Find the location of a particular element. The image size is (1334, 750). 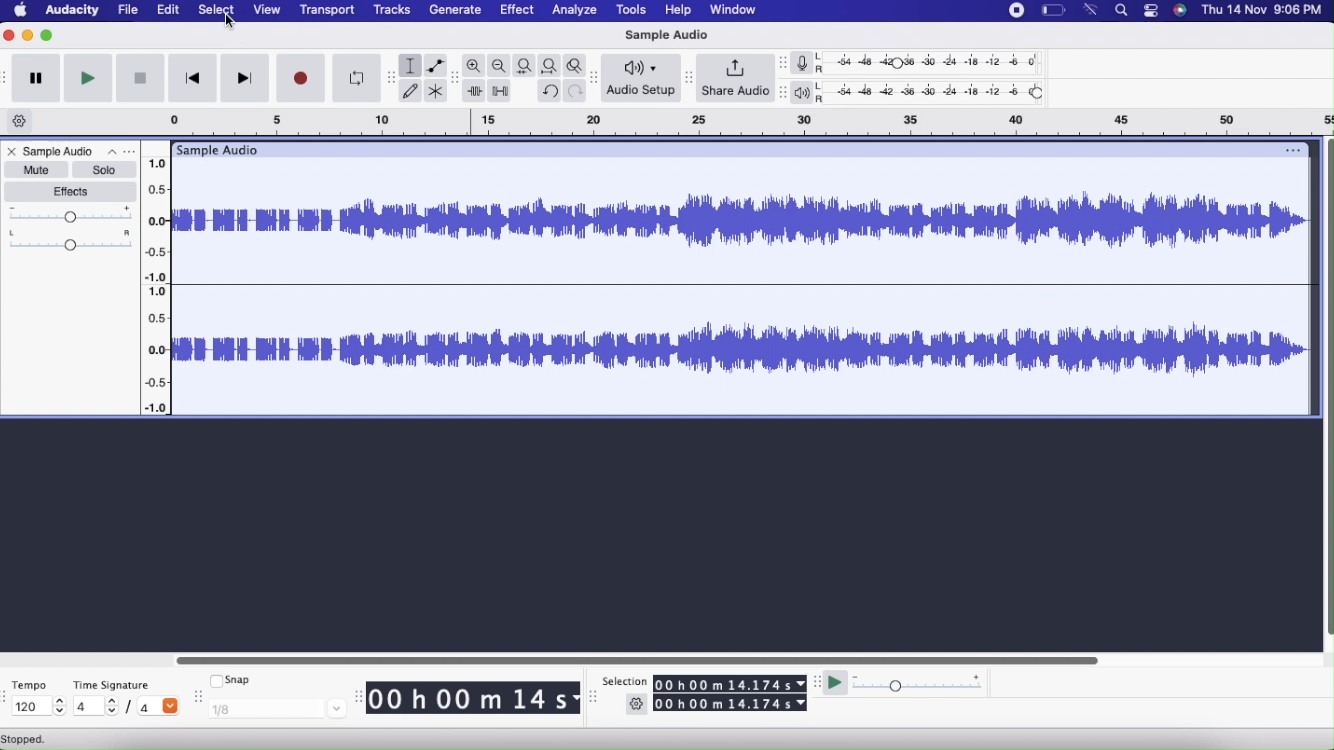

4 is located at coordinates (97, 707).